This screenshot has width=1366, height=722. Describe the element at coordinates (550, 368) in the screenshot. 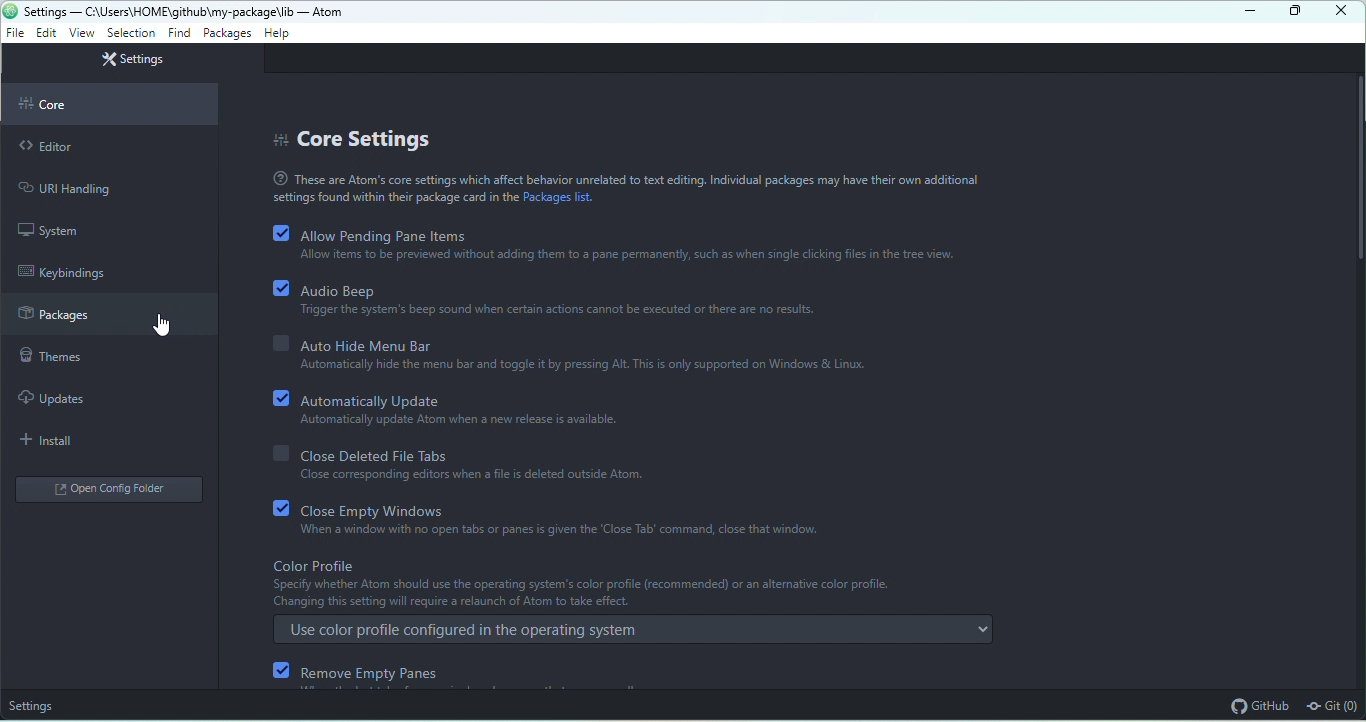

I see `‘Automaucaily nde the menu Dar and toggee it Dy pressing AR. This is only supported On WinGows Ot Linu.` at that location.